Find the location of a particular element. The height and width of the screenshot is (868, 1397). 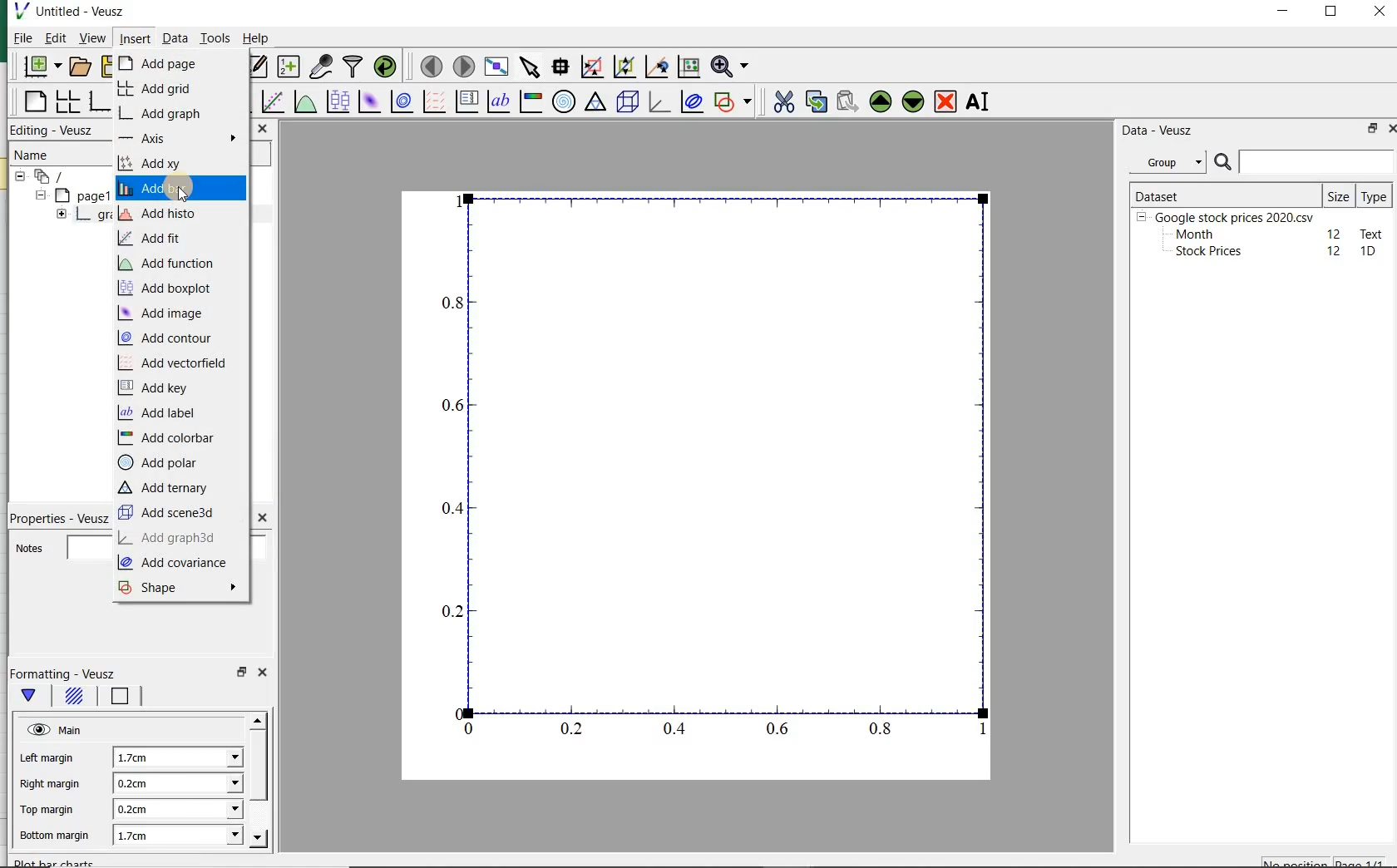

Help is located at coordinates (258, 40).